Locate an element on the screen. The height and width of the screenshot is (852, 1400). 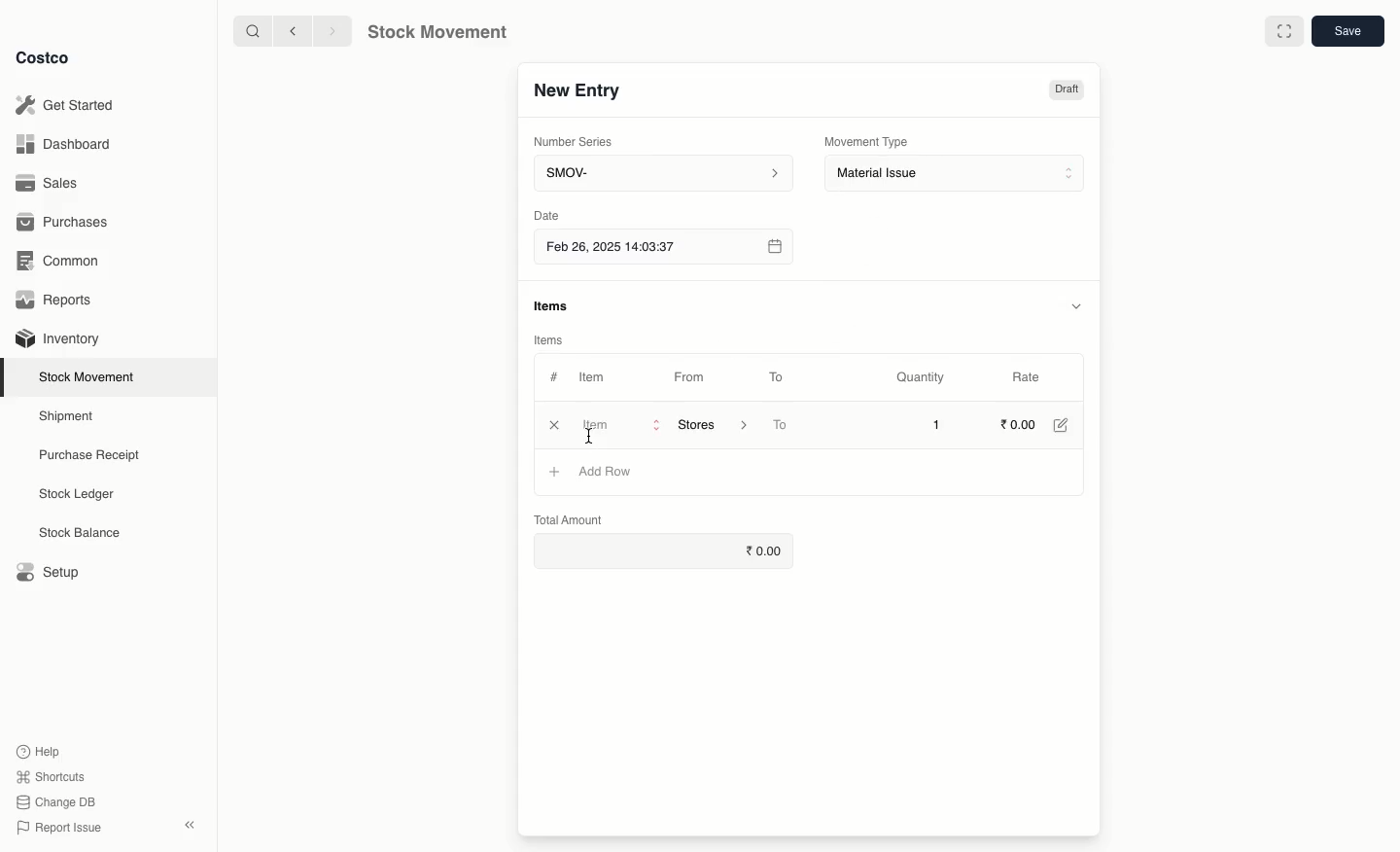
Sales is located at coordinates (50, 182).